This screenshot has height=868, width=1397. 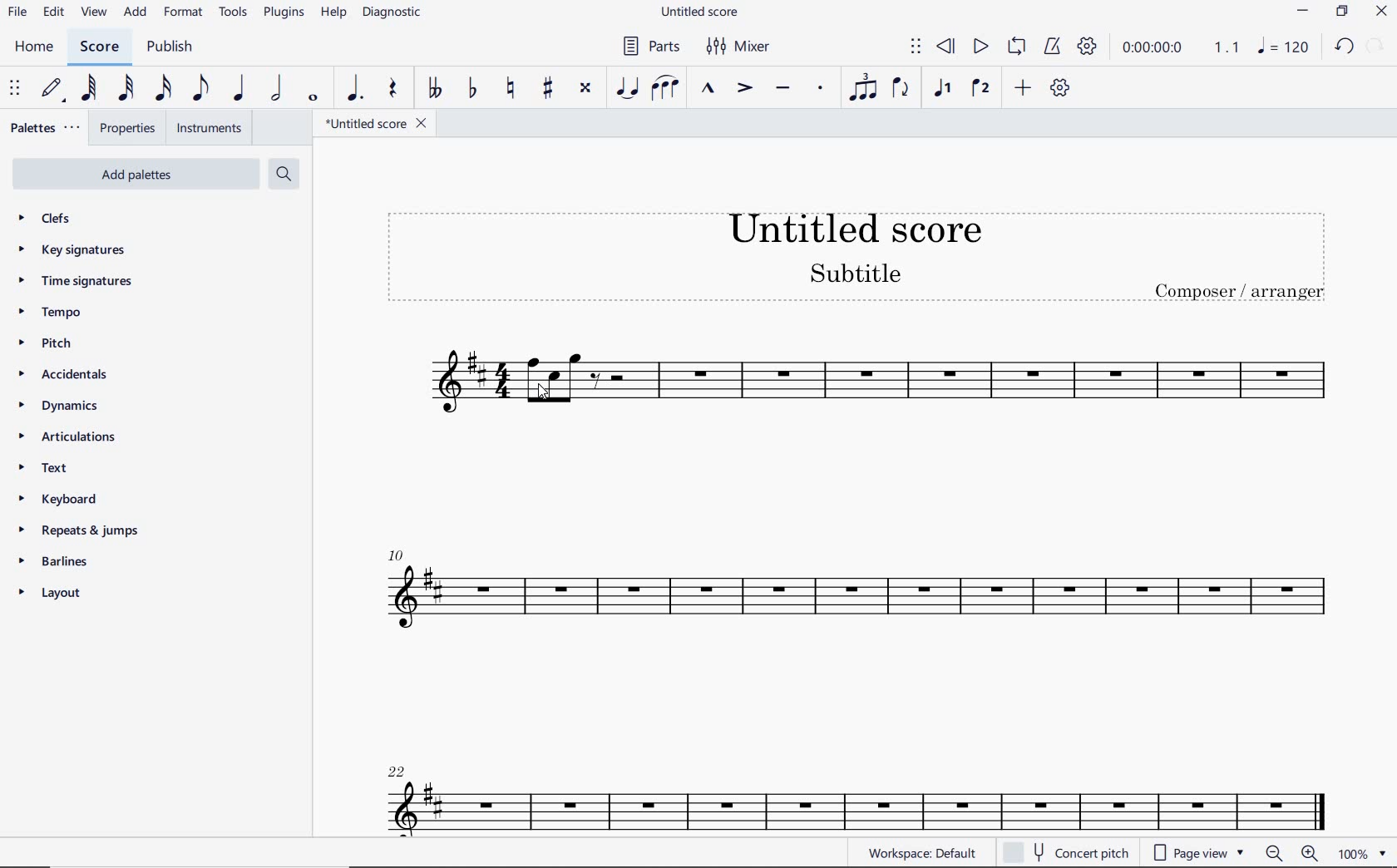 What do you see at coordinates (16, 12) in the screenshot?
I see `FILE` at bounding box center [16, 12].